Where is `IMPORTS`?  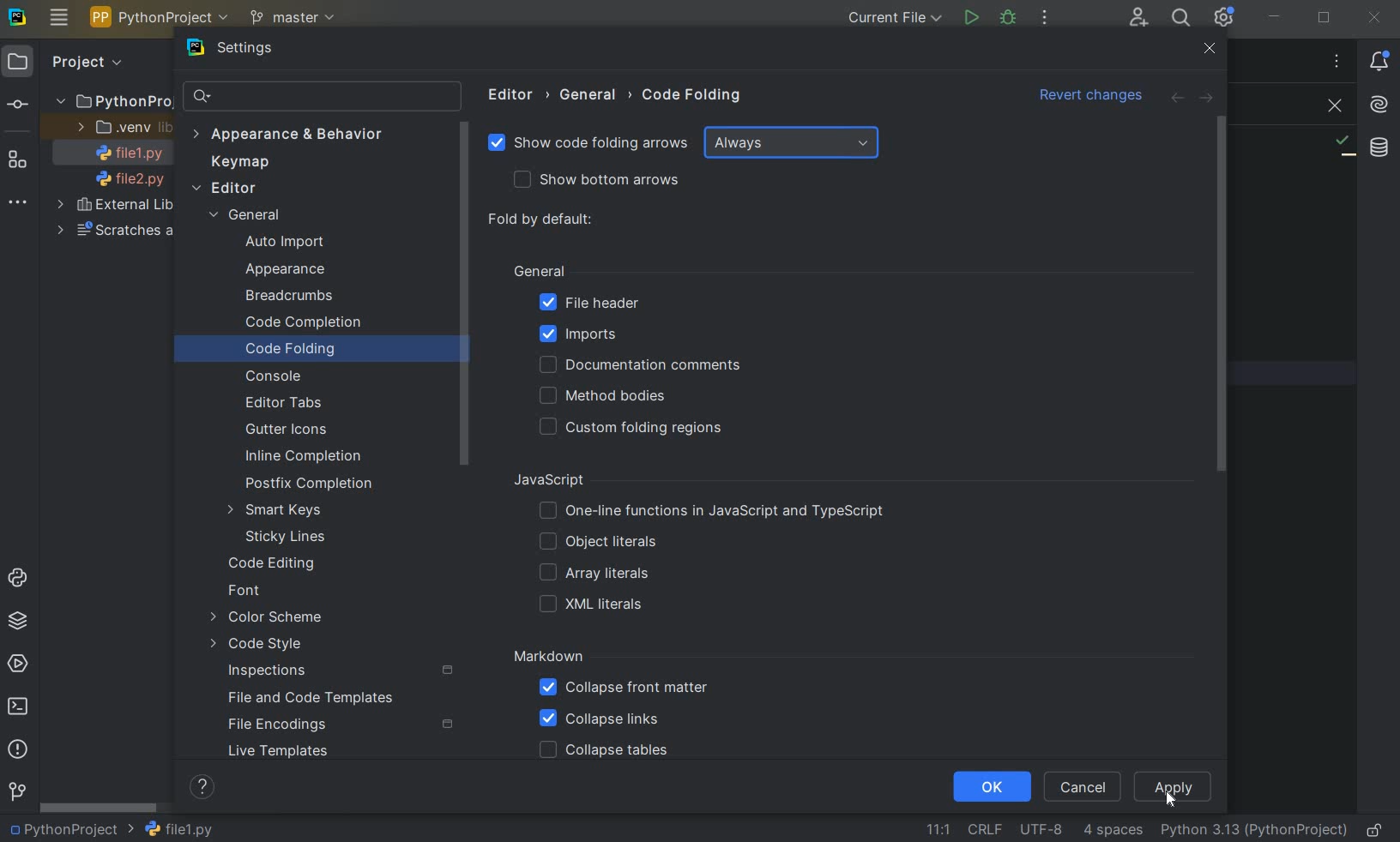
IMPORTS is located at coordinates (604, 334).